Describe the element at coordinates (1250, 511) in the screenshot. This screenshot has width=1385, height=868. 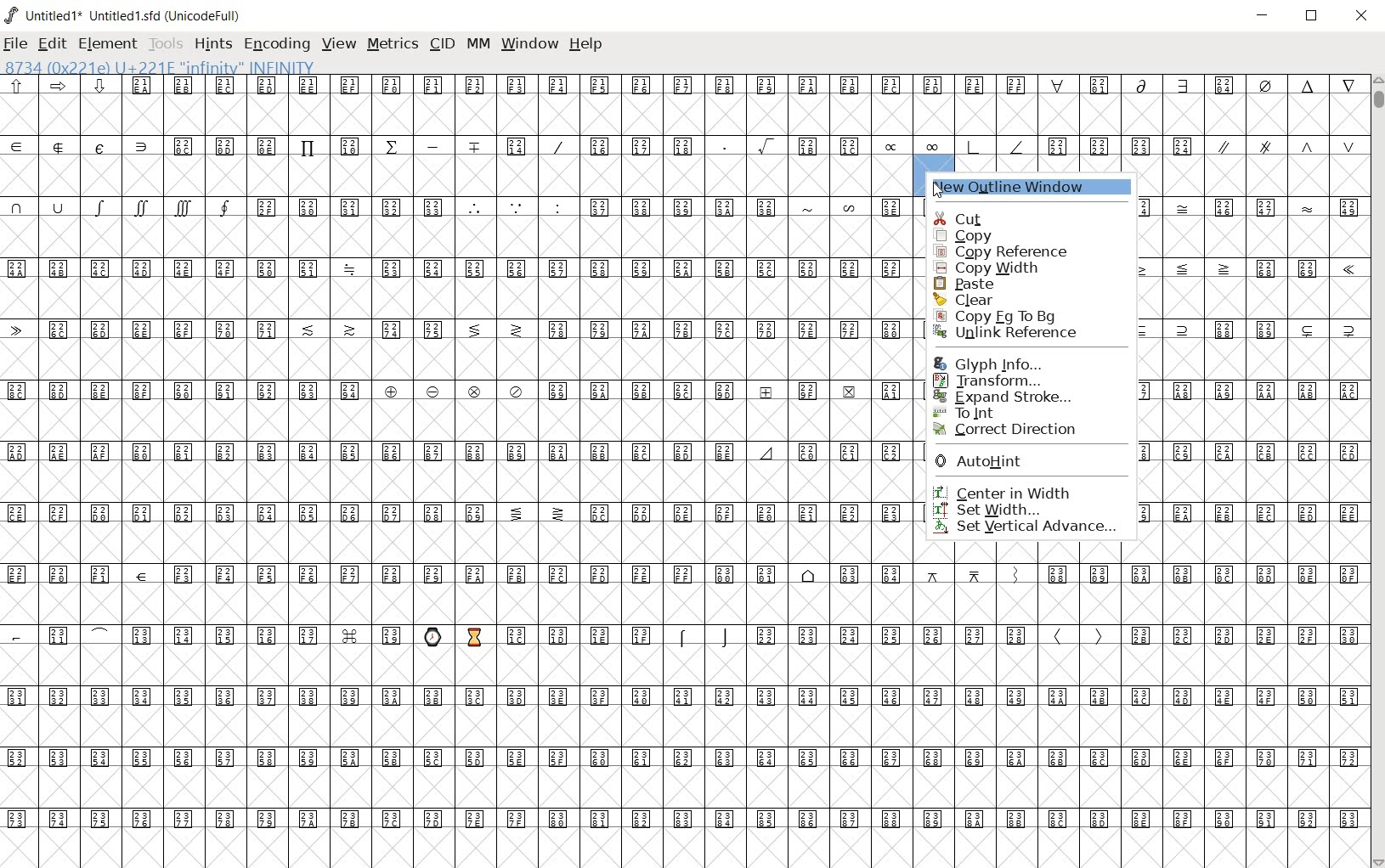
I see `Unicode code points` at that location.